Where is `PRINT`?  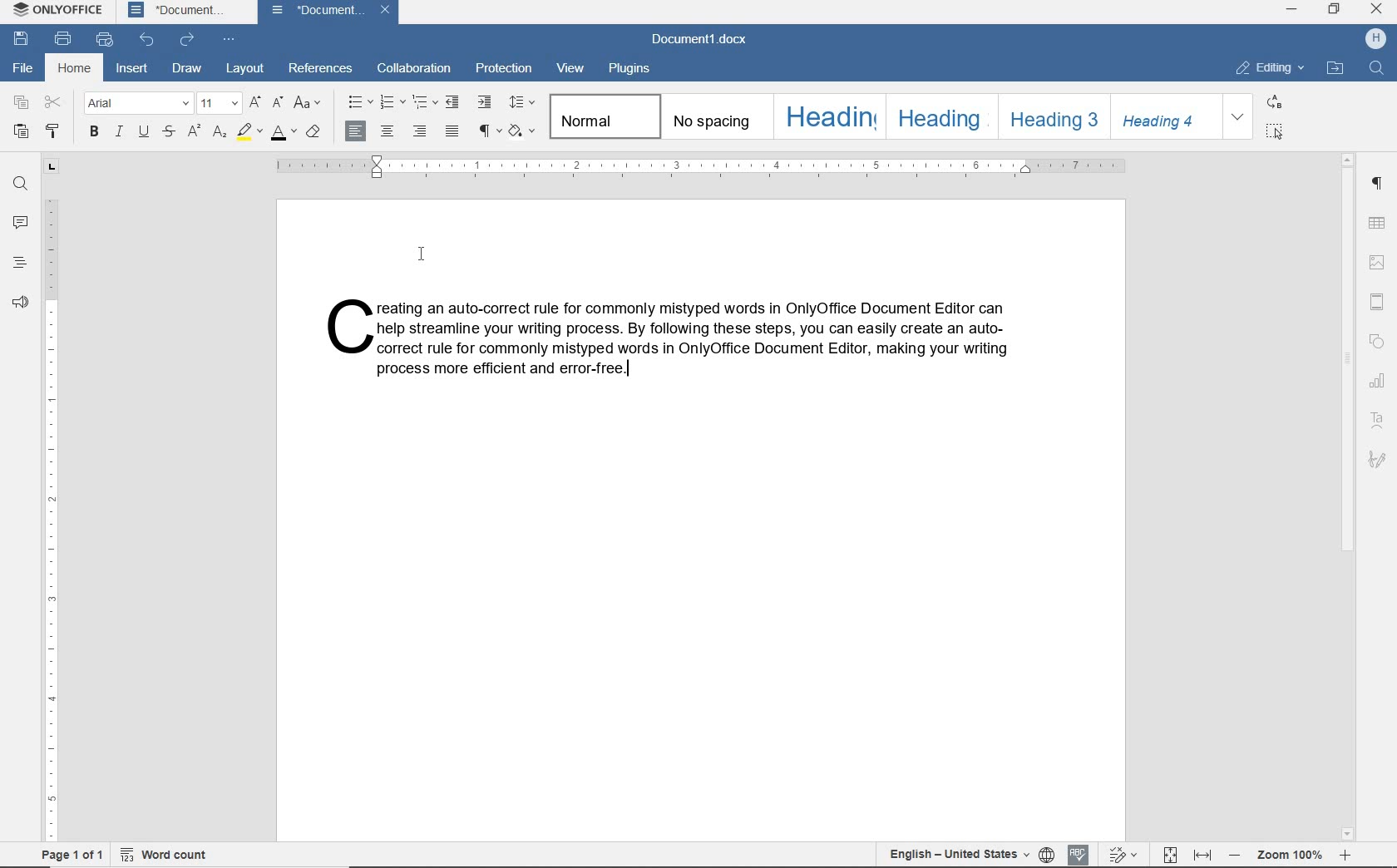 PRINT is located at coordinates (63, 37).